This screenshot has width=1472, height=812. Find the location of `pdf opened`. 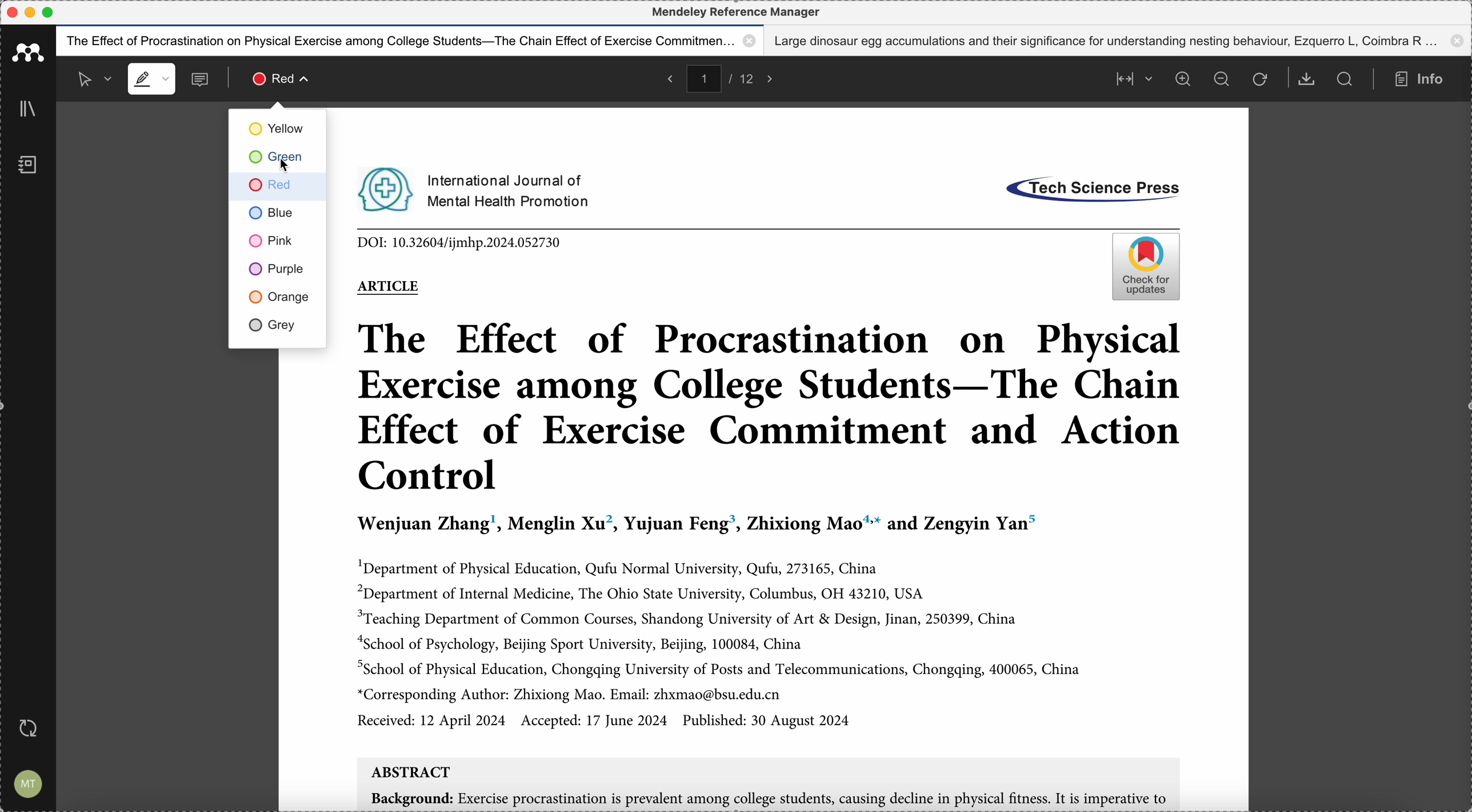

pdf opened is located at coordinates (786, 461).